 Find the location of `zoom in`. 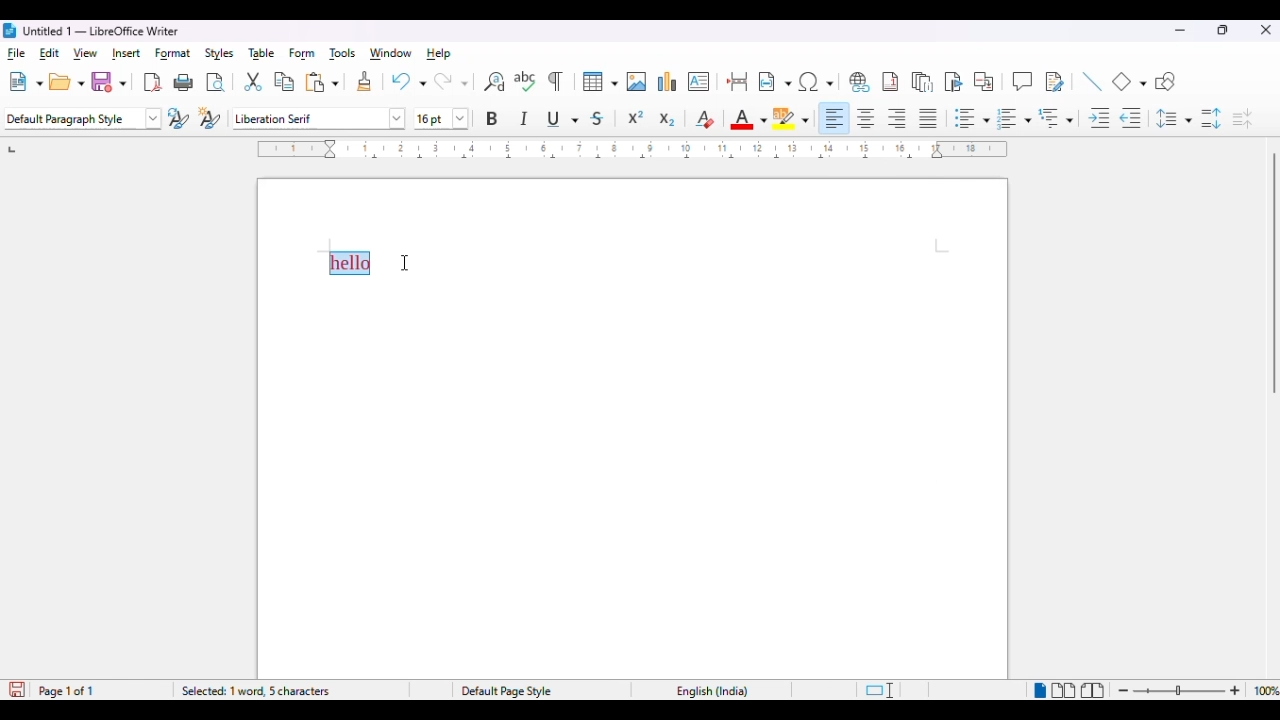

zoom in is located at coordinates (1234, 691).